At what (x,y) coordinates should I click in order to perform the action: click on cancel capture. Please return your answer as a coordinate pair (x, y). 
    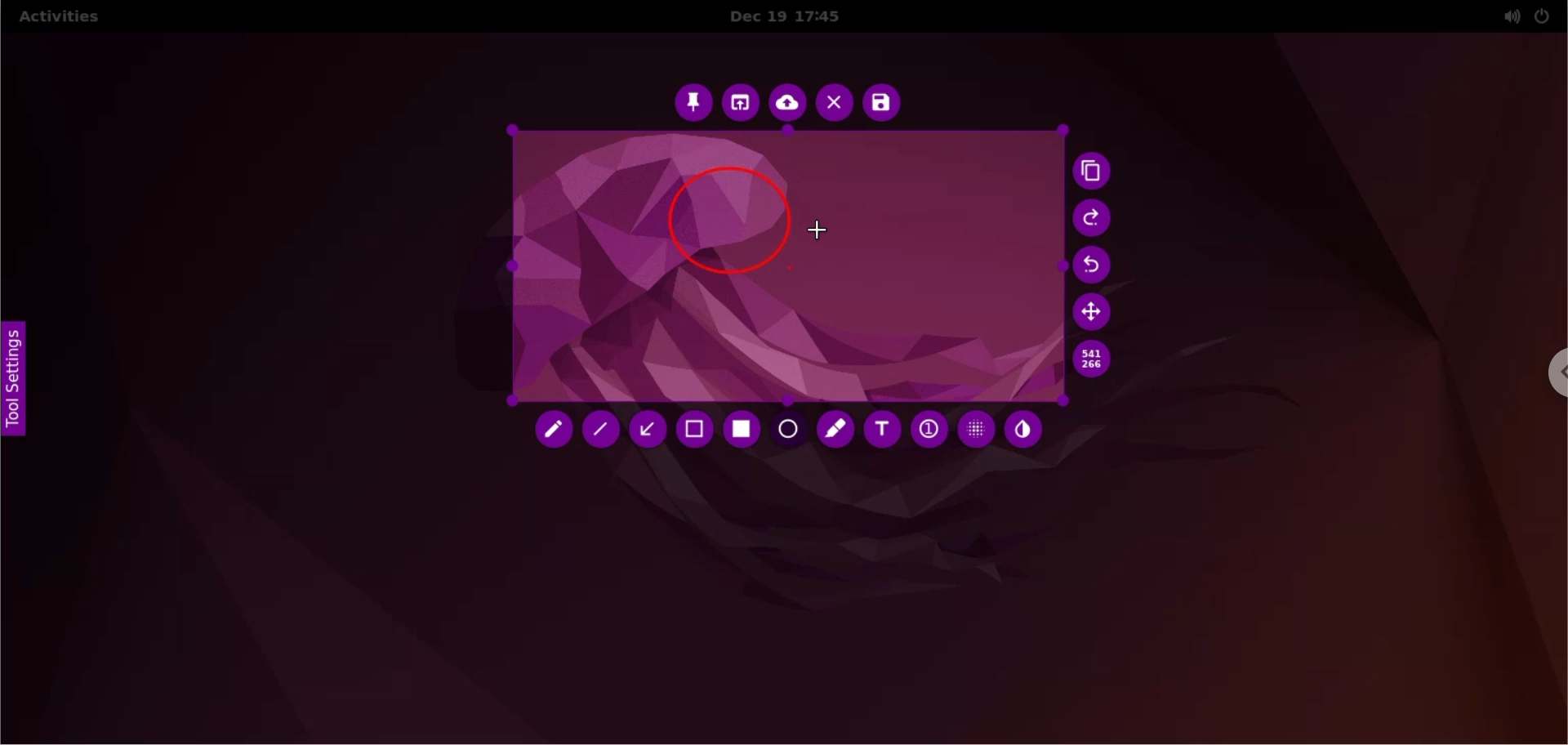
    Looking at the image, I should click on (834, 105).